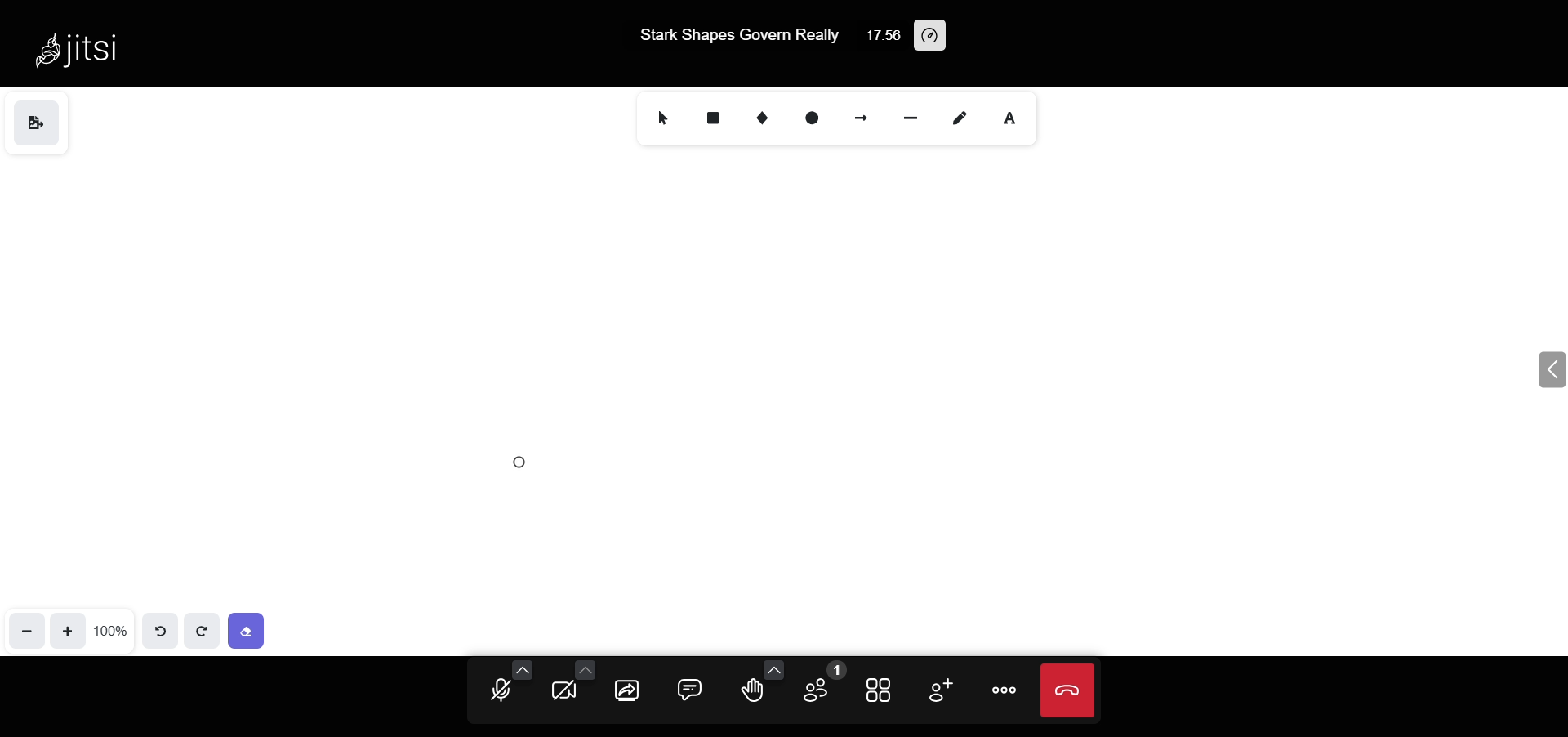  What do you see at coordinates (26, 630) in the screenshot?
I see `zoom out` at bounding box center [26, 630].